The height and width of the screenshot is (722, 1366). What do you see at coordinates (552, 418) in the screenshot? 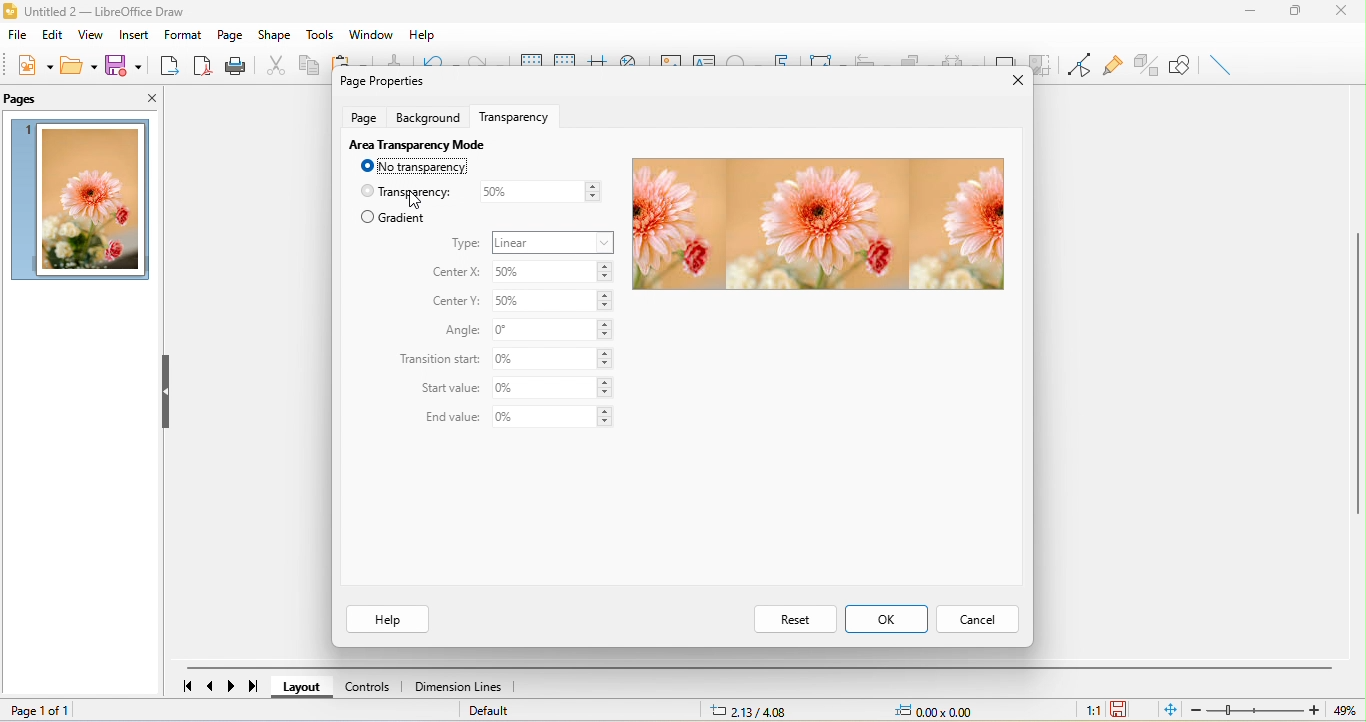
I see `0%` at bounding box center [552, 418].